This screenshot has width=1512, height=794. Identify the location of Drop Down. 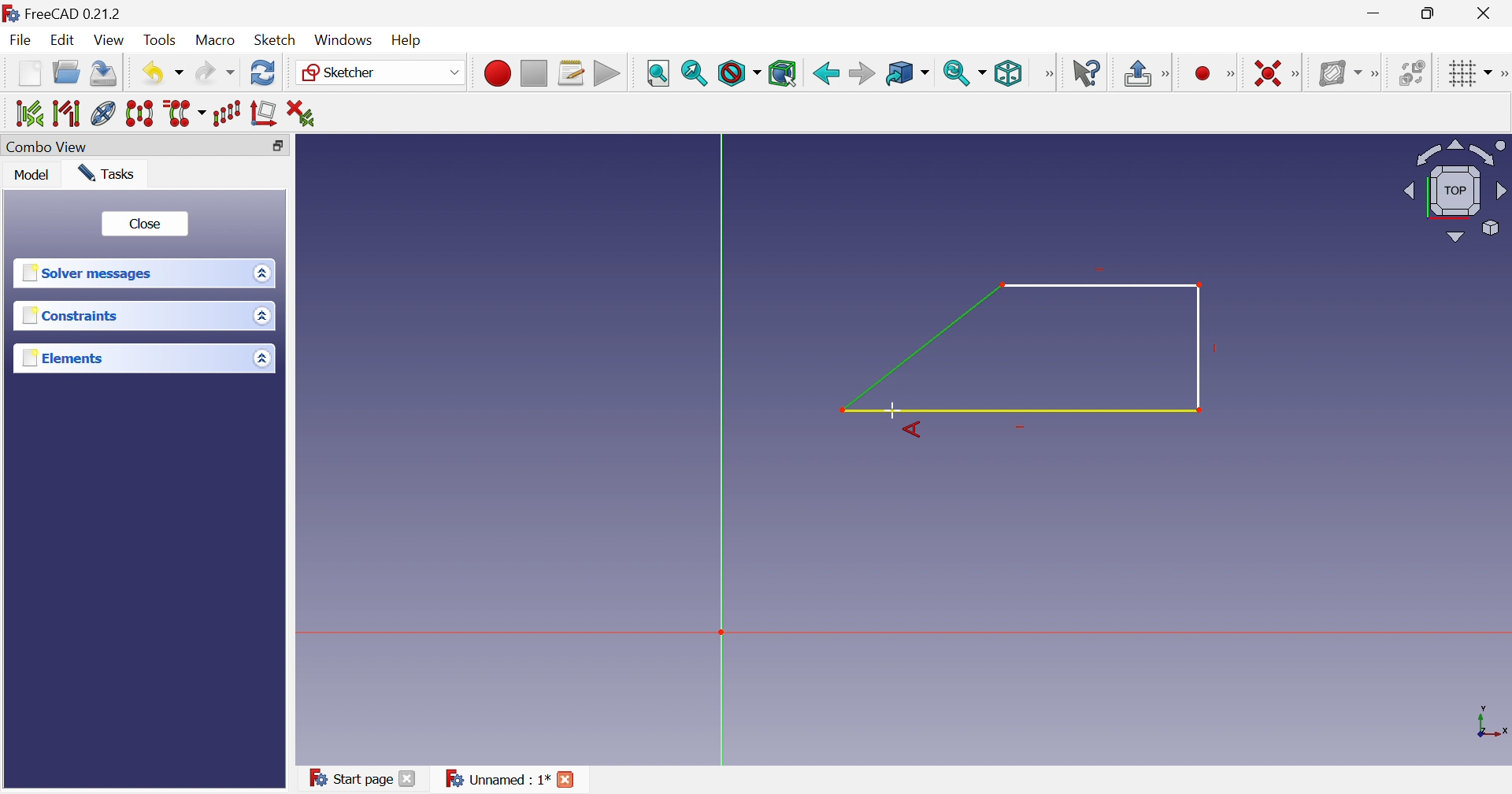
(985, 72).